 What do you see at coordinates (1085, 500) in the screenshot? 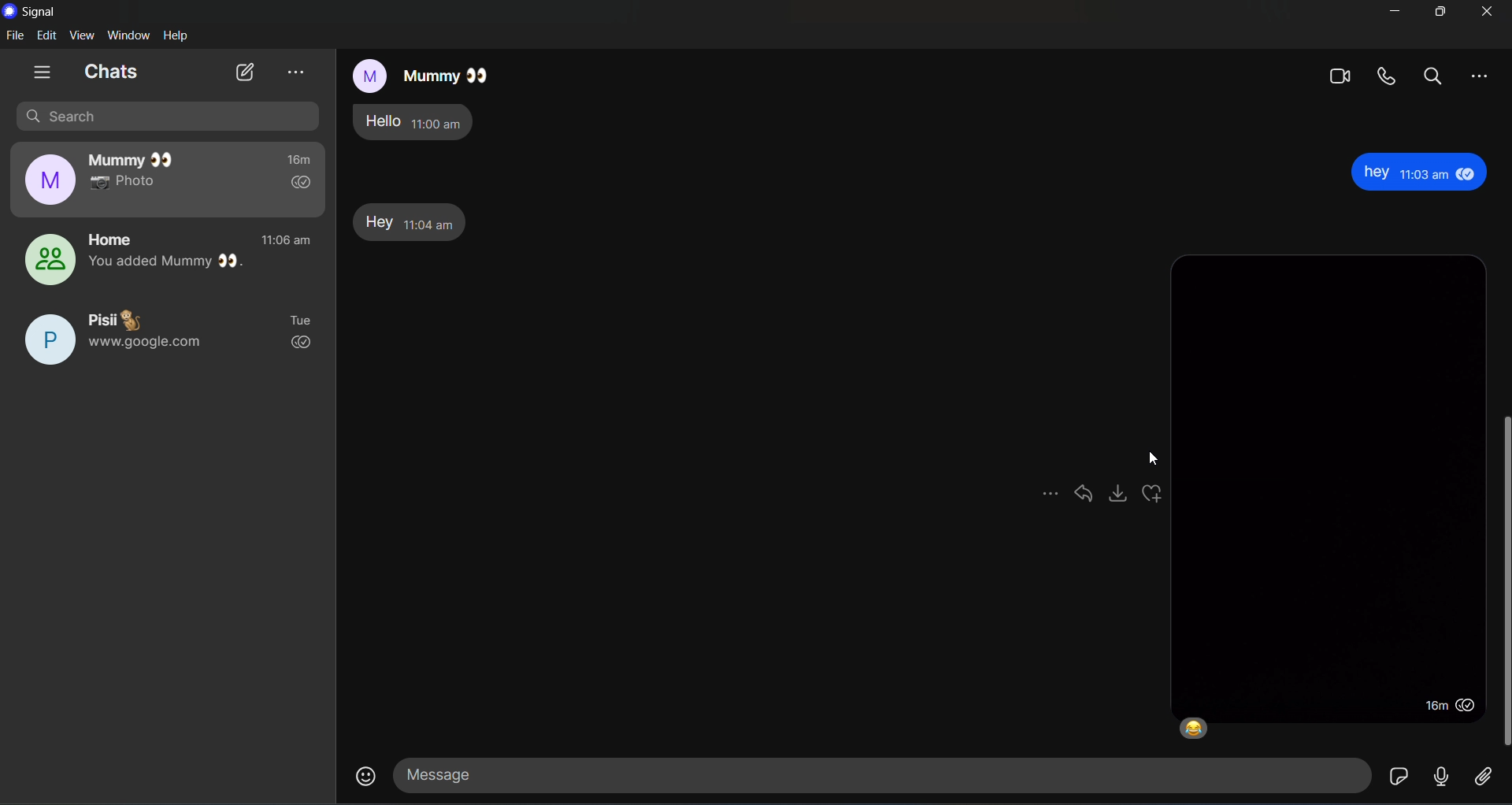
I see `tag` at bounding box center [1085, 500].